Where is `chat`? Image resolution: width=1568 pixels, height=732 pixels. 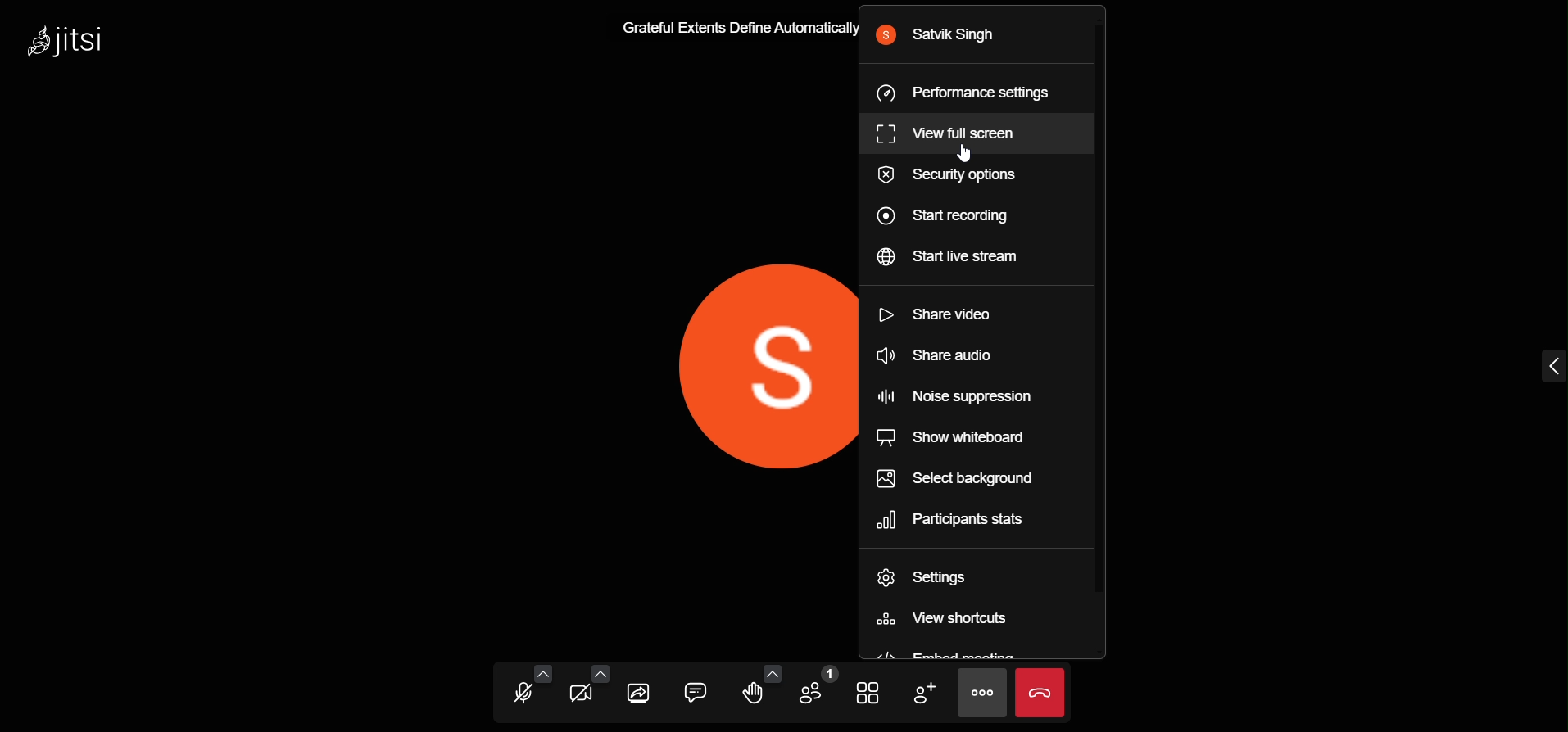
chat is located at coordinates (694, 691).